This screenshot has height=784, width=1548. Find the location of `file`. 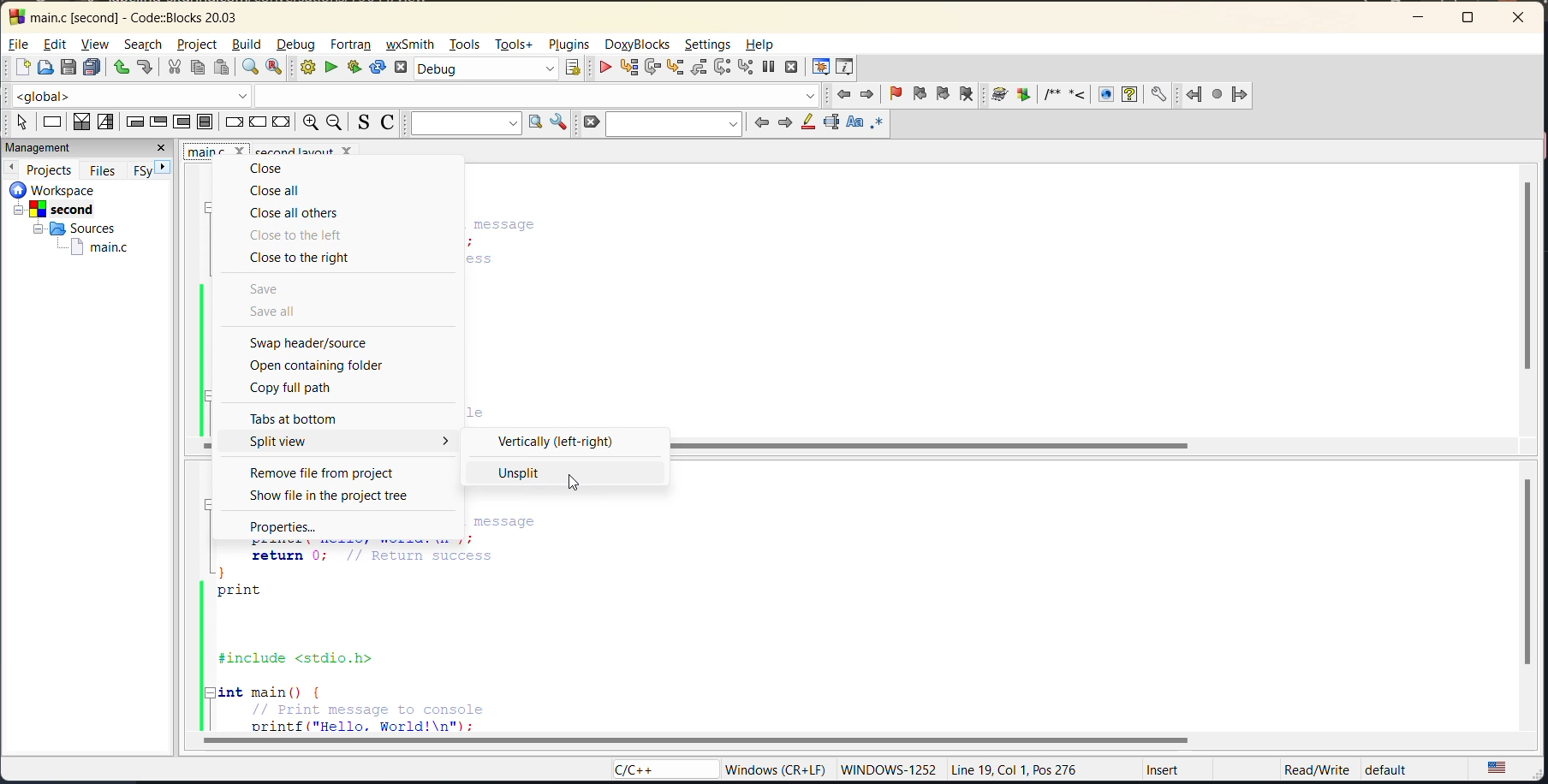

file is located at coordinates (17, 44).